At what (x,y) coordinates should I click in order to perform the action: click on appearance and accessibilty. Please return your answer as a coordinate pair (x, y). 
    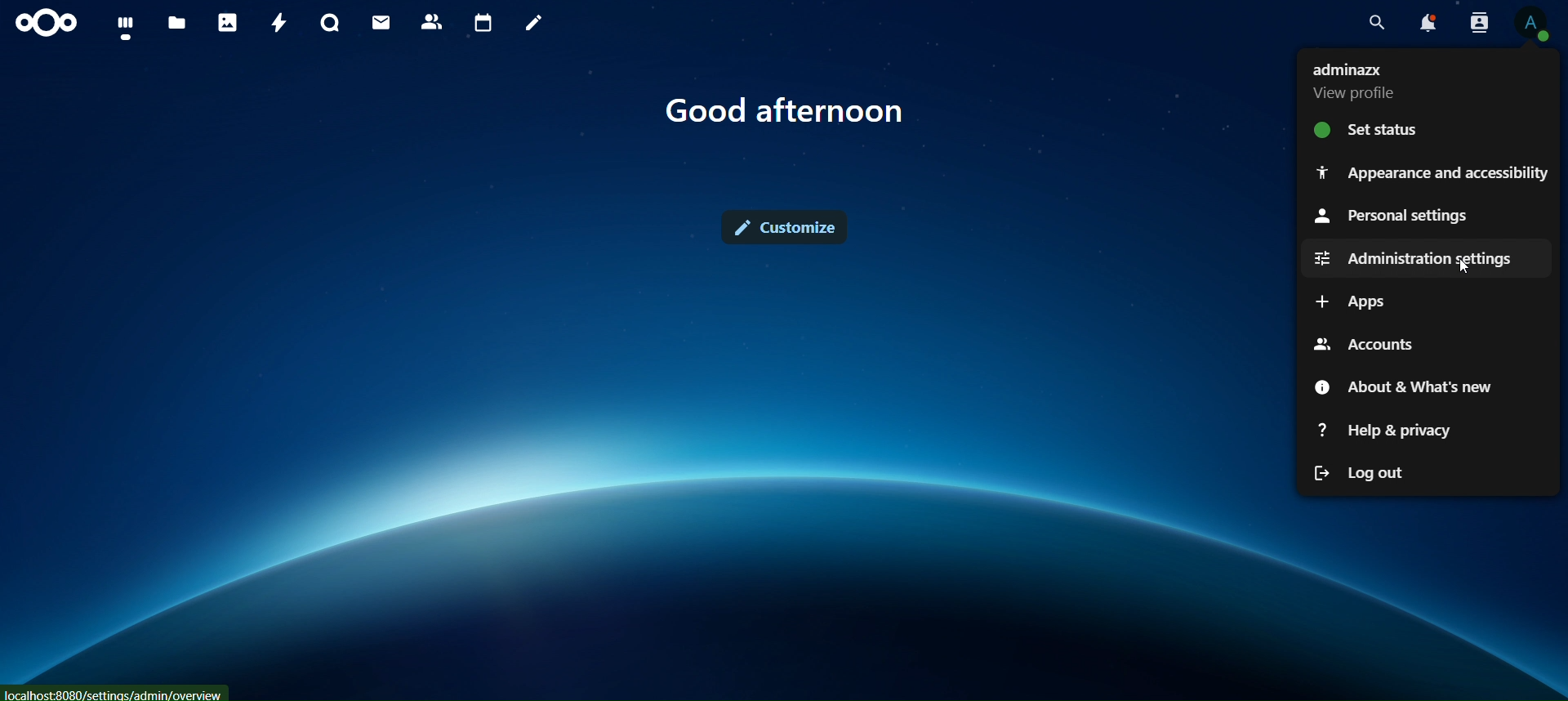
    Looking at the image, I should click on (1432, 170).